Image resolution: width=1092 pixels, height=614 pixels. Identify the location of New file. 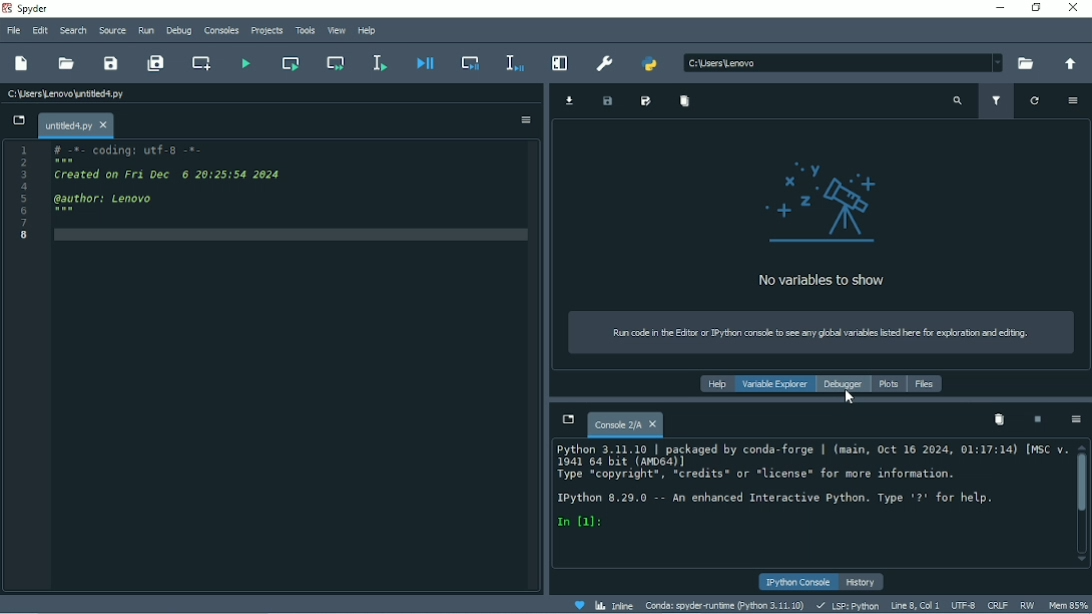
(21, 63).